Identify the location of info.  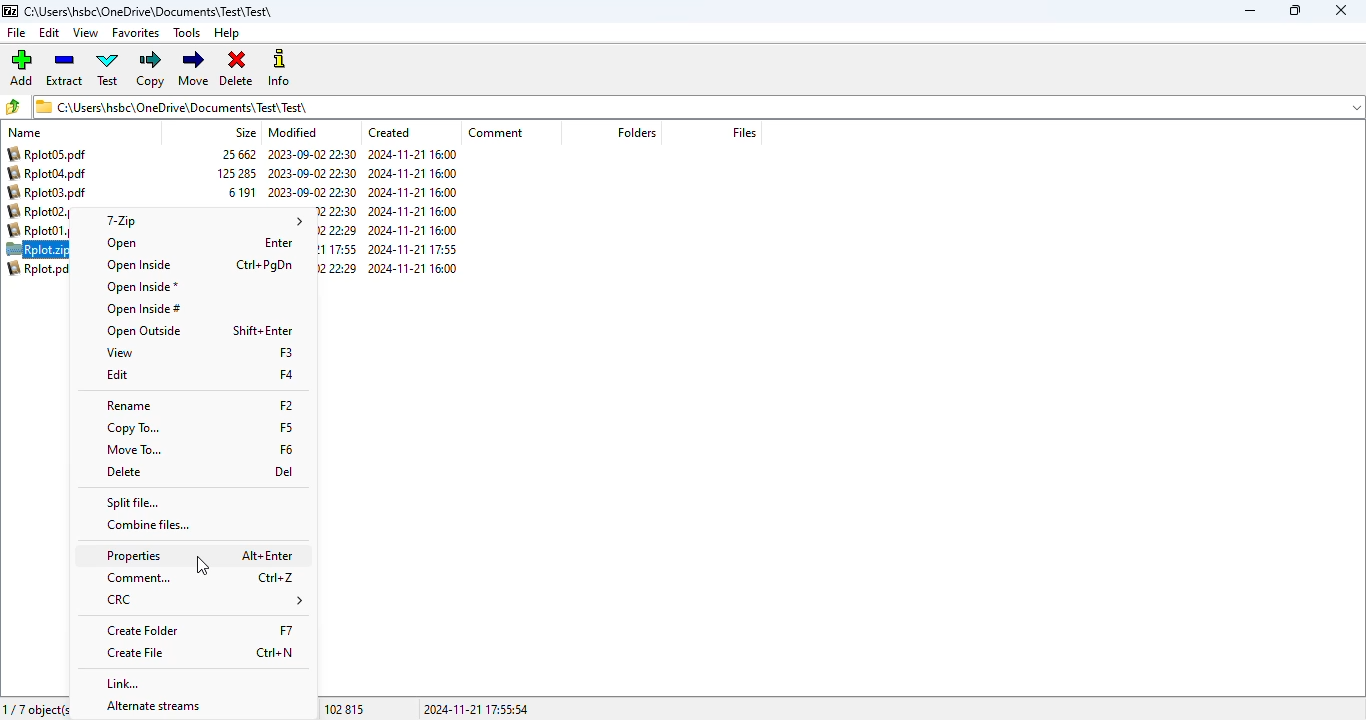
(281, 67).